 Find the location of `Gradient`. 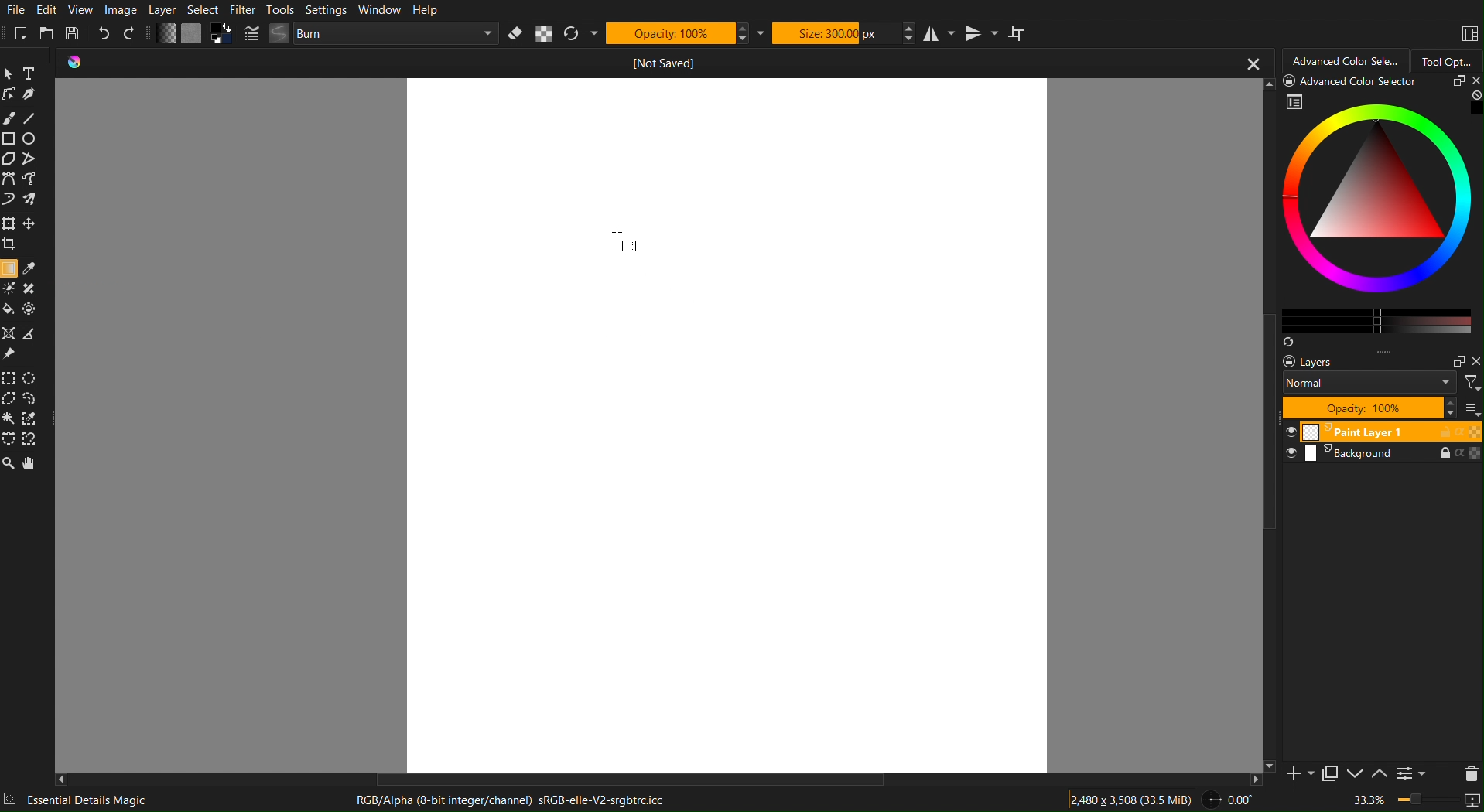

Gradient is located at coordinates (630, 247).